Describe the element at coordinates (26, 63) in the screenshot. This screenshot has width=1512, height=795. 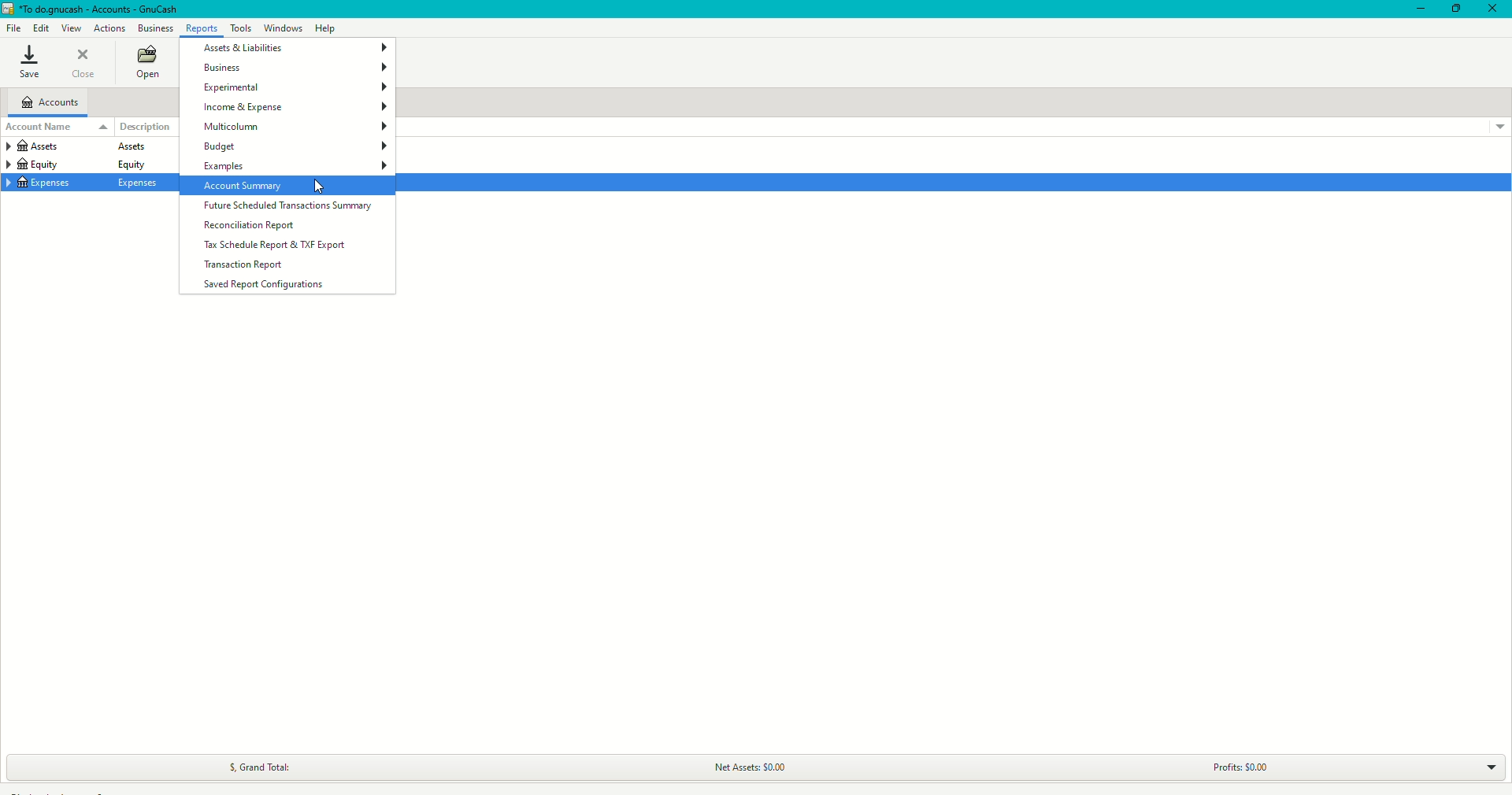
I see `Save` at that location.